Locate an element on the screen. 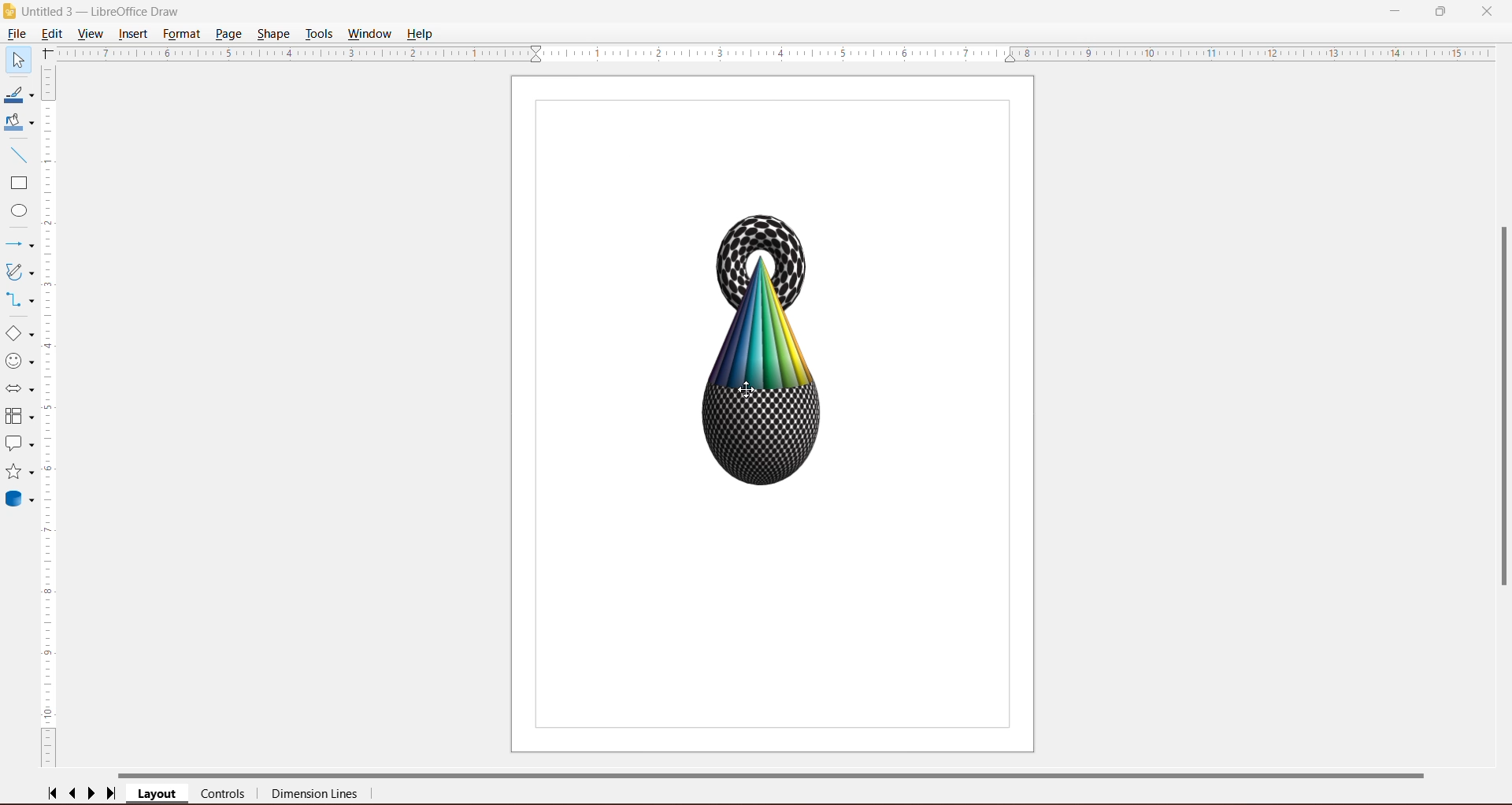 Image resolution: width=1512 pixels, height=805 pixels. Page is located at coordinates (230, 34).